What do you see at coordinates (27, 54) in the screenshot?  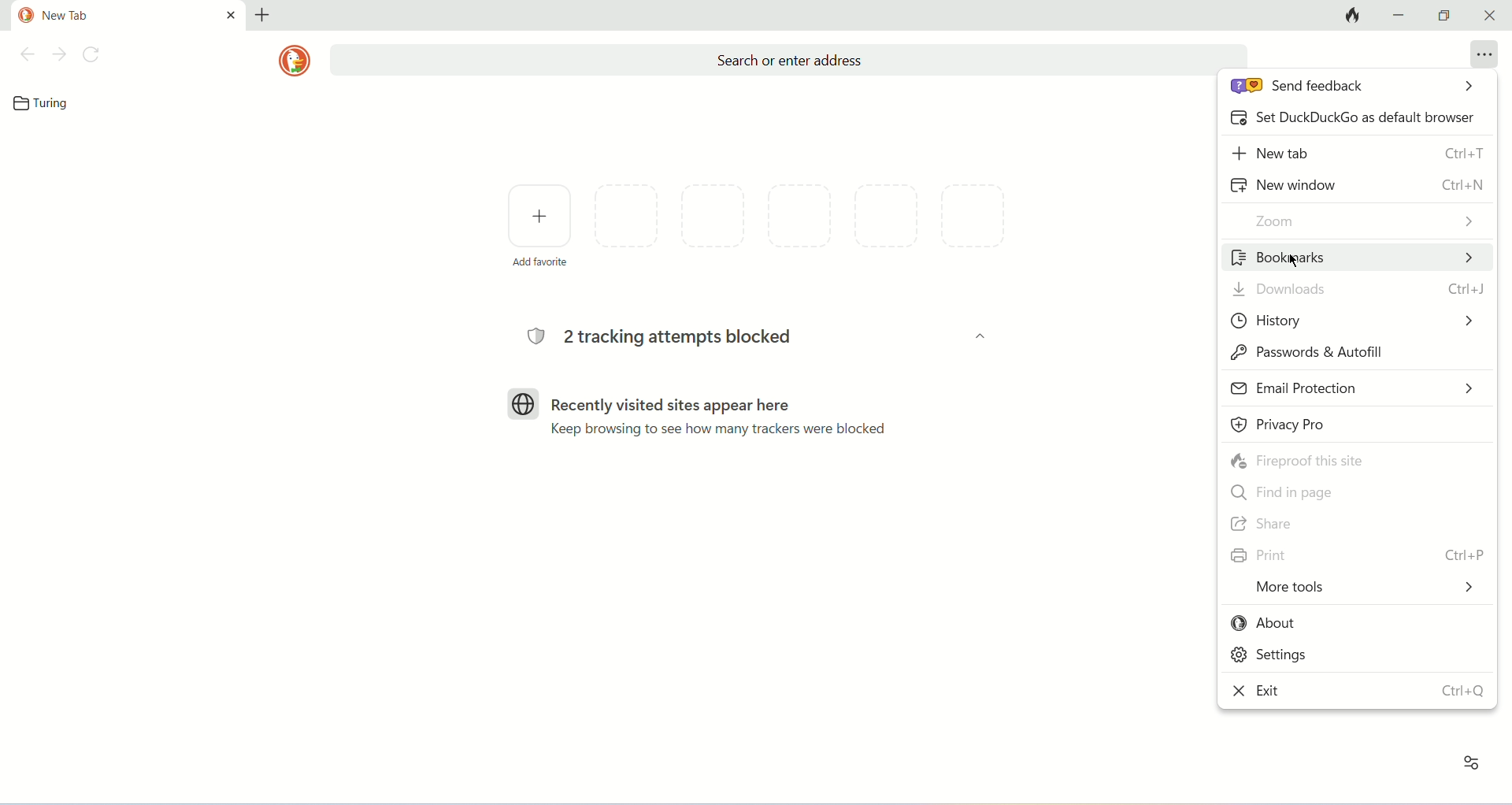 I see `previous` at bounding box center [27, 54].